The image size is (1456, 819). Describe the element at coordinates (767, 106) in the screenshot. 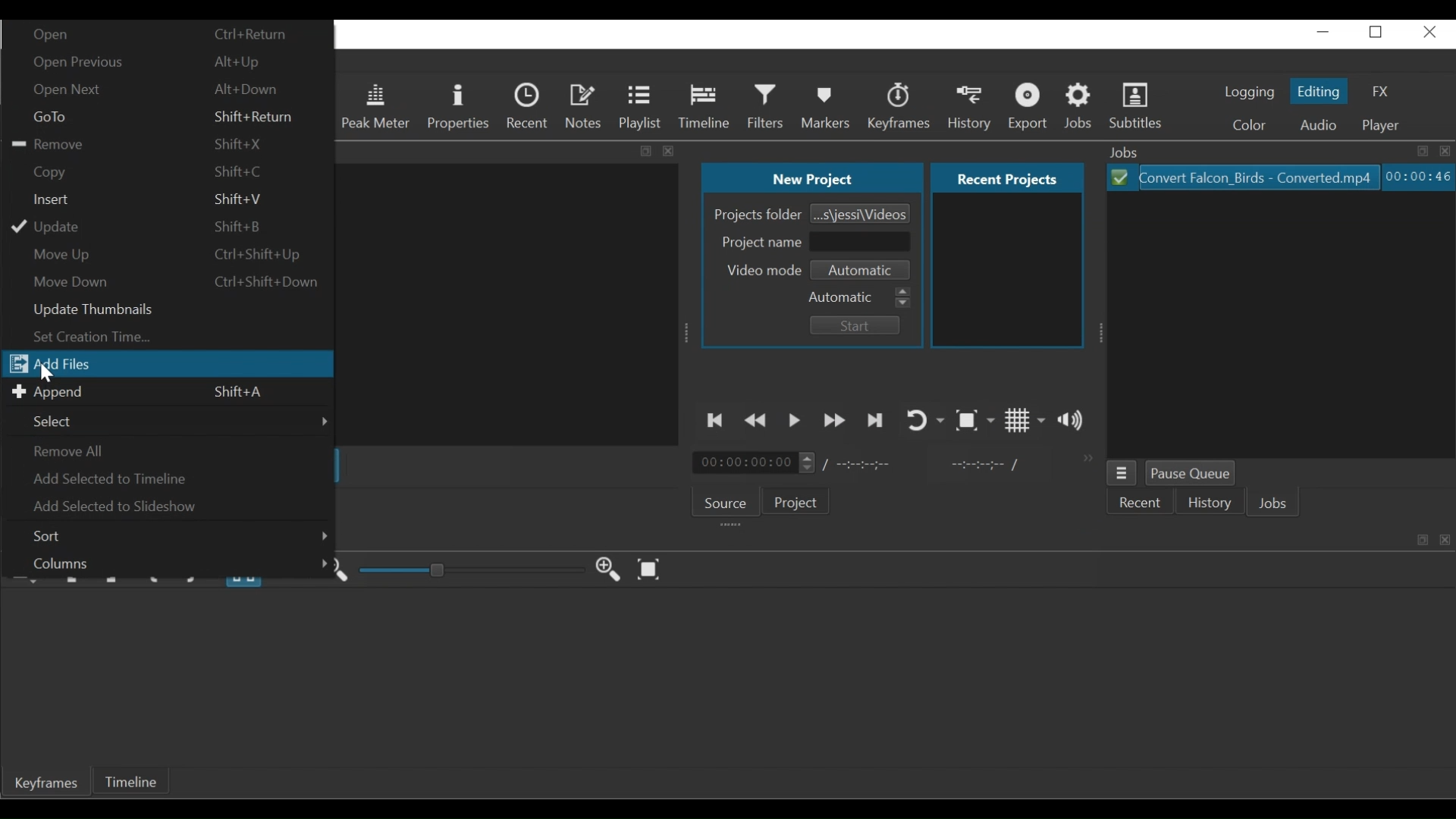

I see `Filters` at that location.